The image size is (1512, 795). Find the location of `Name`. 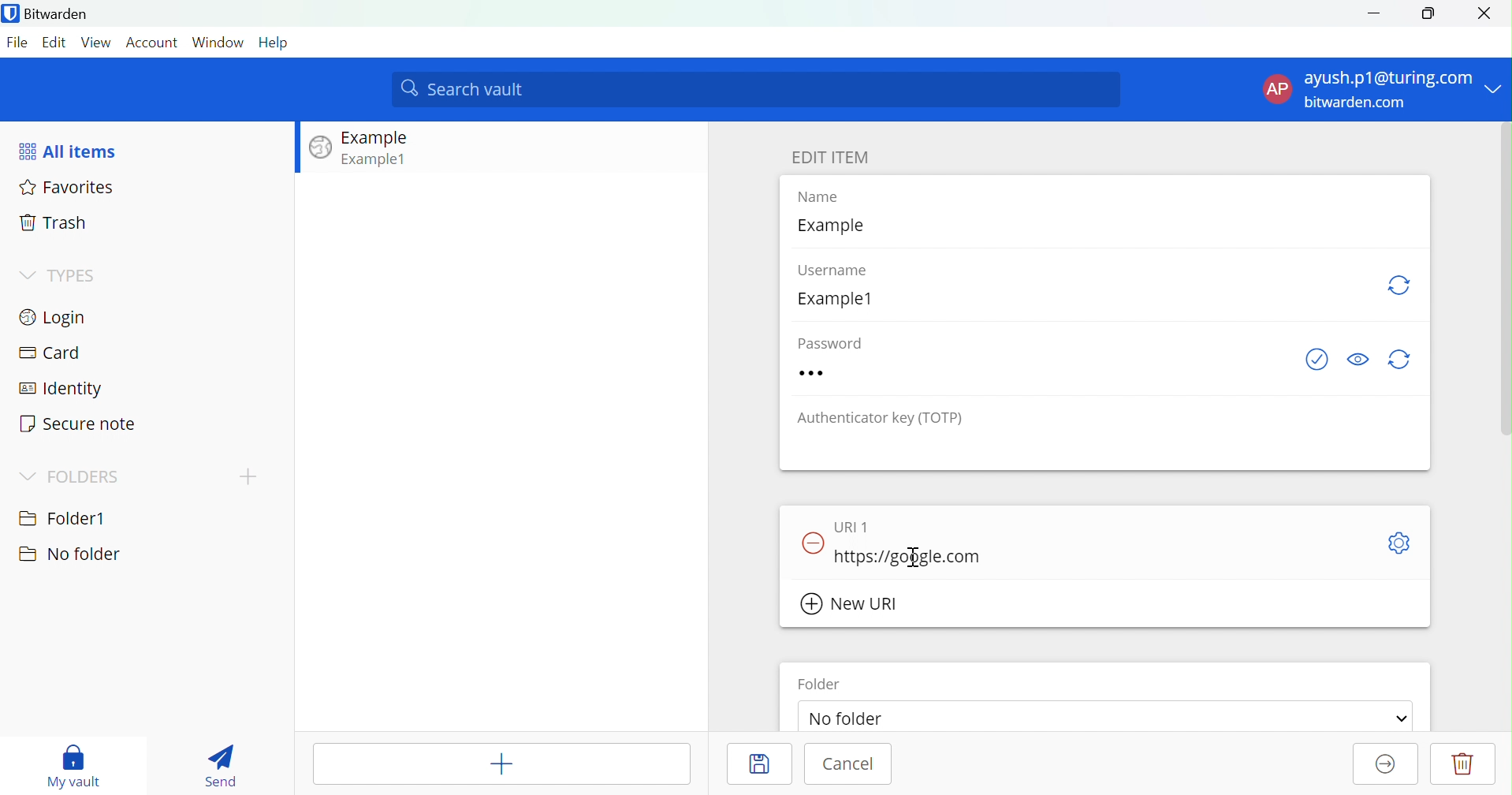

Name is located at coordinates (829, 198).